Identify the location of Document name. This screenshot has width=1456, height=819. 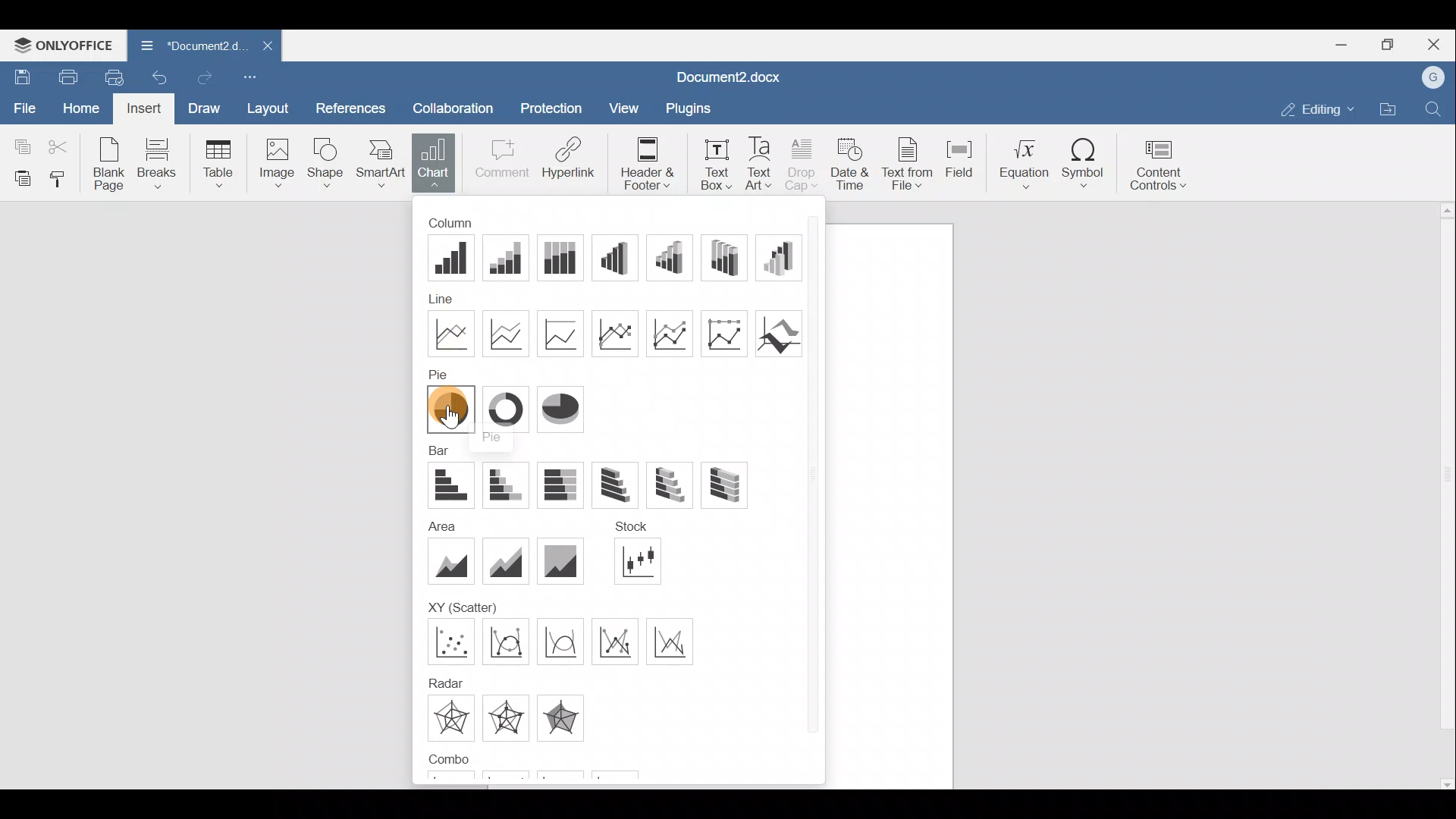
(738, 75).